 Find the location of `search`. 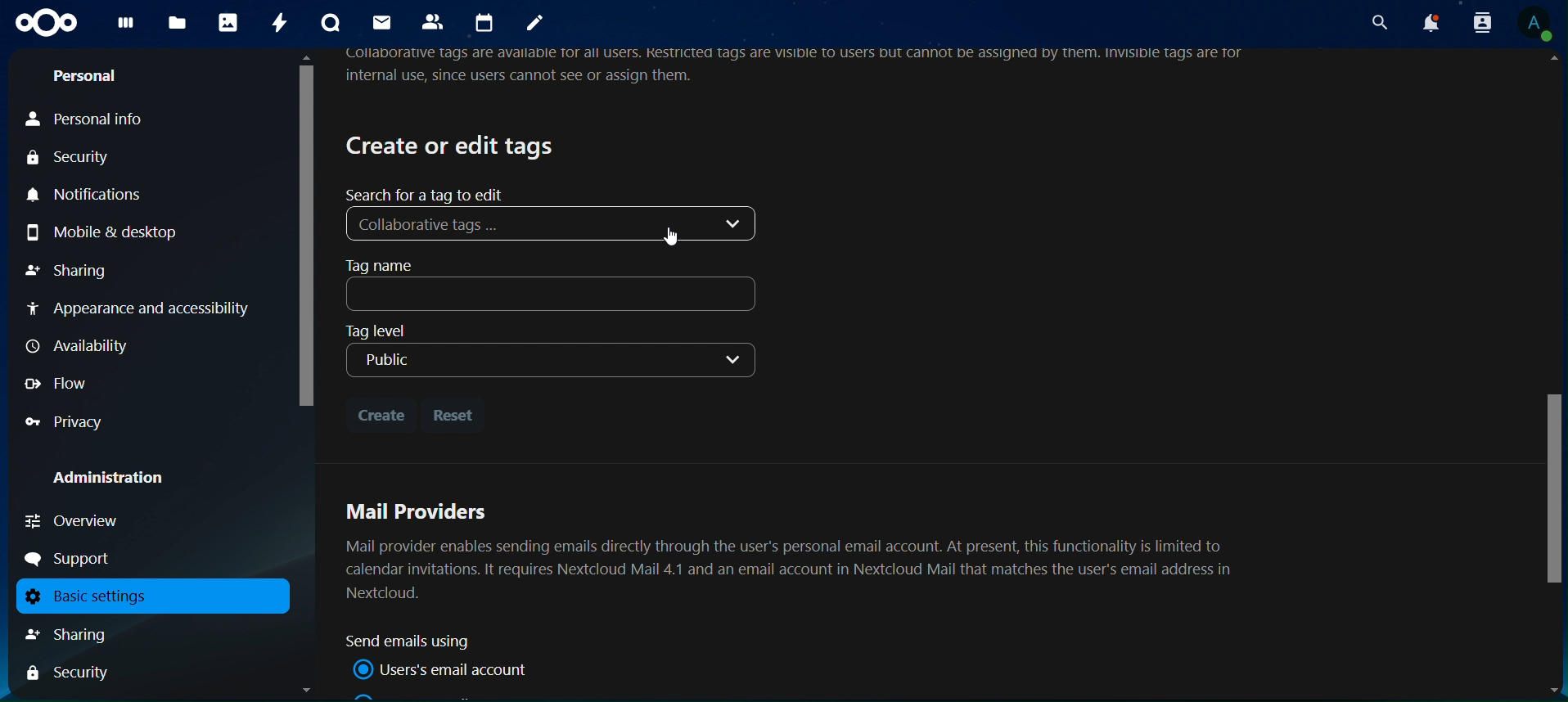

search is located at coordinates (1377, 22).